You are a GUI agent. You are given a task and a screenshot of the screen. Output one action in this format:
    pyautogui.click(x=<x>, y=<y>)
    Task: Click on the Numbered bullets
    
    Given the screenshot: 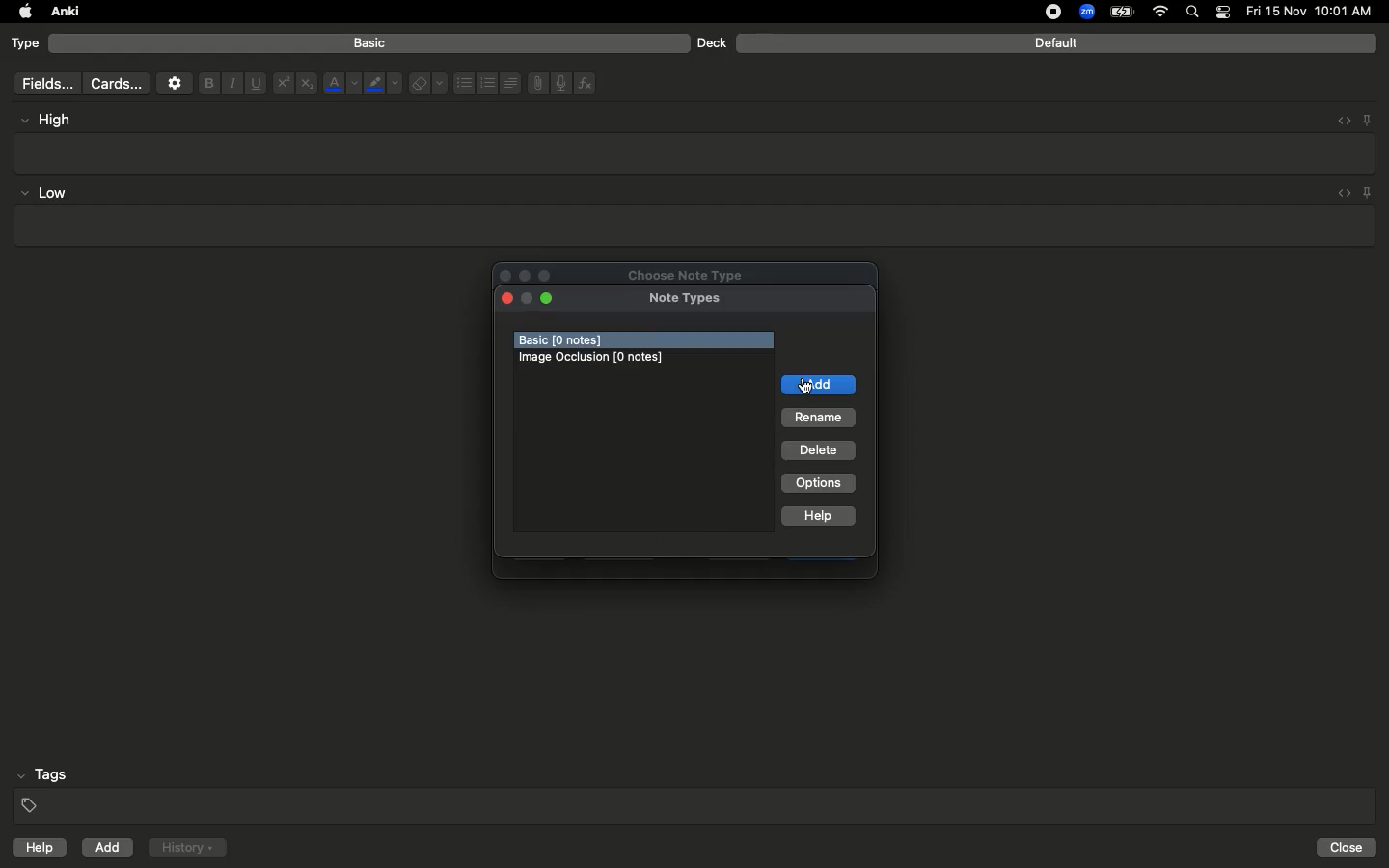 What is the action you would take?
    pyautogui.click(x=488, y=83)
    